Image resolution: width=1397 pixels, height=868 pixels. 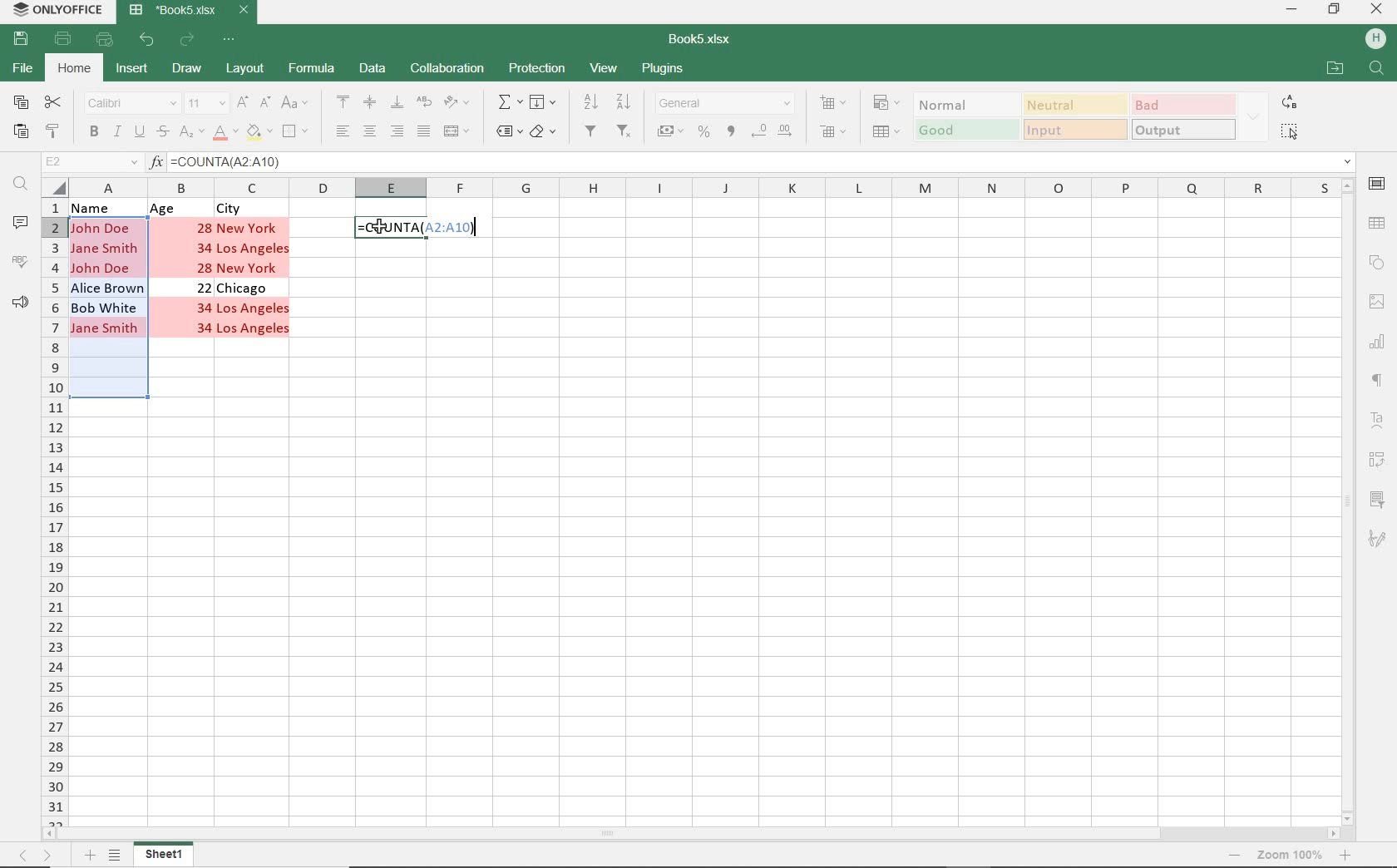 I want to click on COPY STYLE, so click(x=53, y=132).